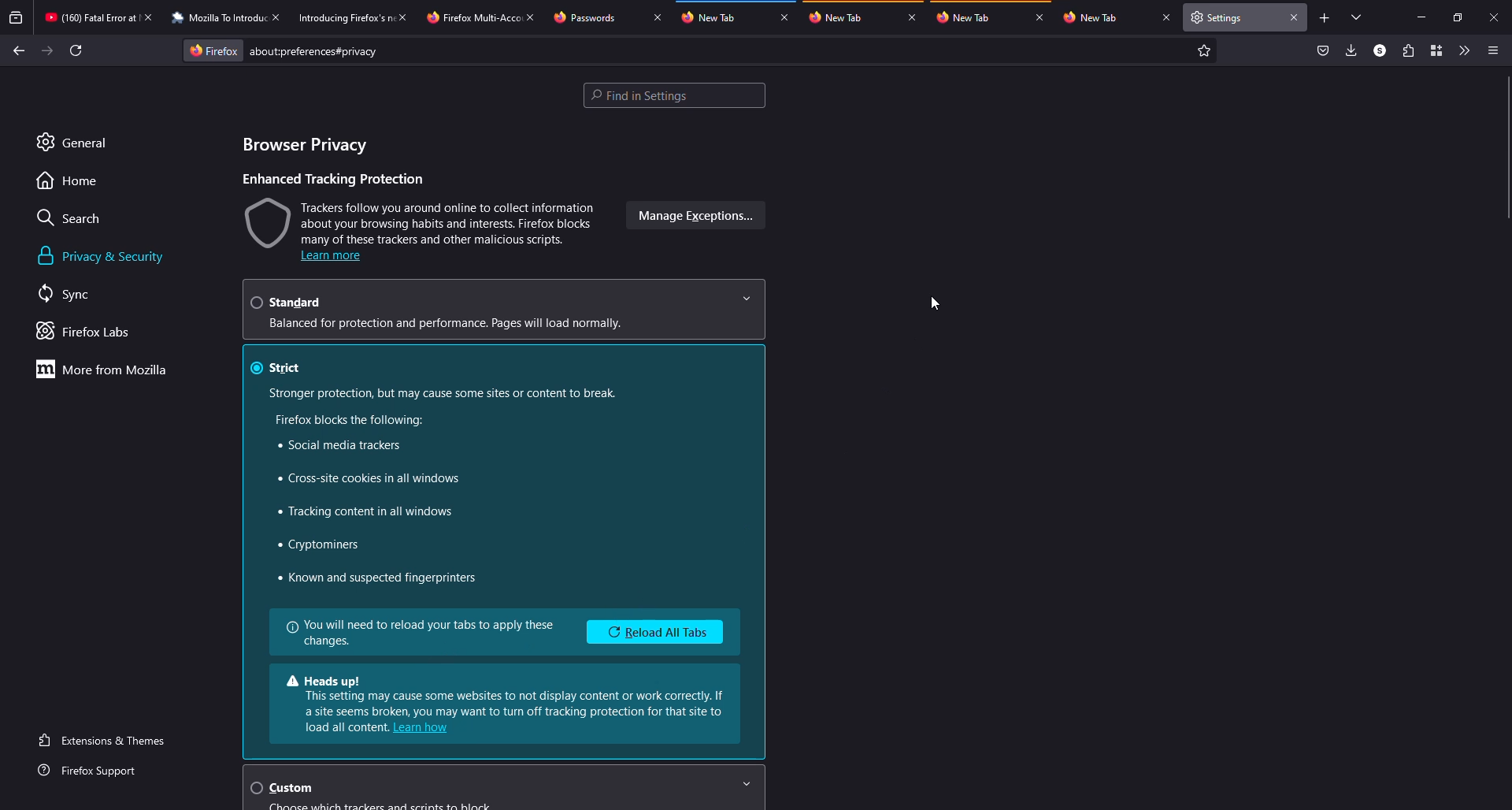 Image resolution: width=1512 pixels, height=810 pixels. What do you see at coordinates (936, 303) in the screenshot?
I see `cursor` at bounding box center [936, 303].